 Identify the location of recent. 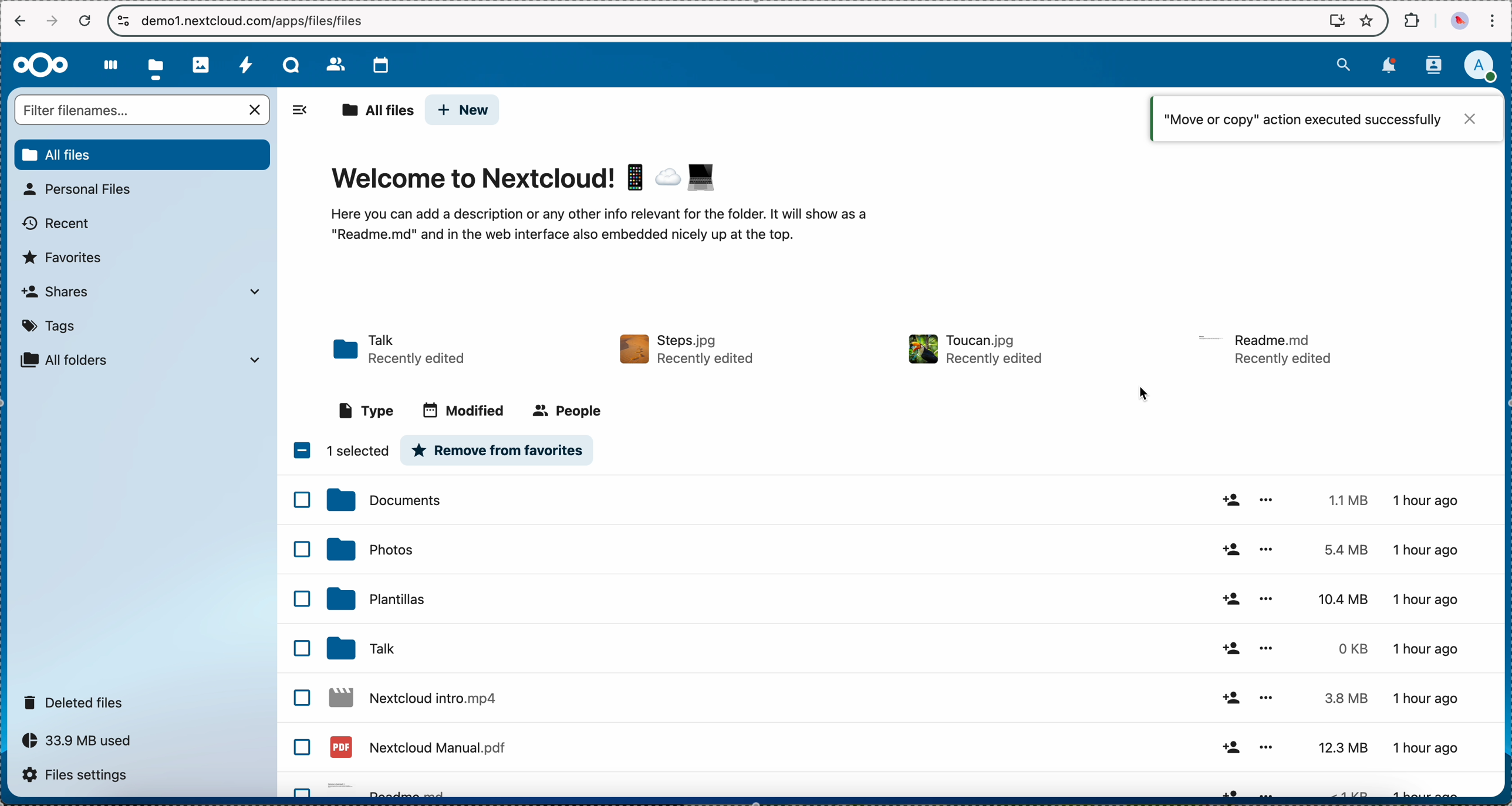
(54, 226).